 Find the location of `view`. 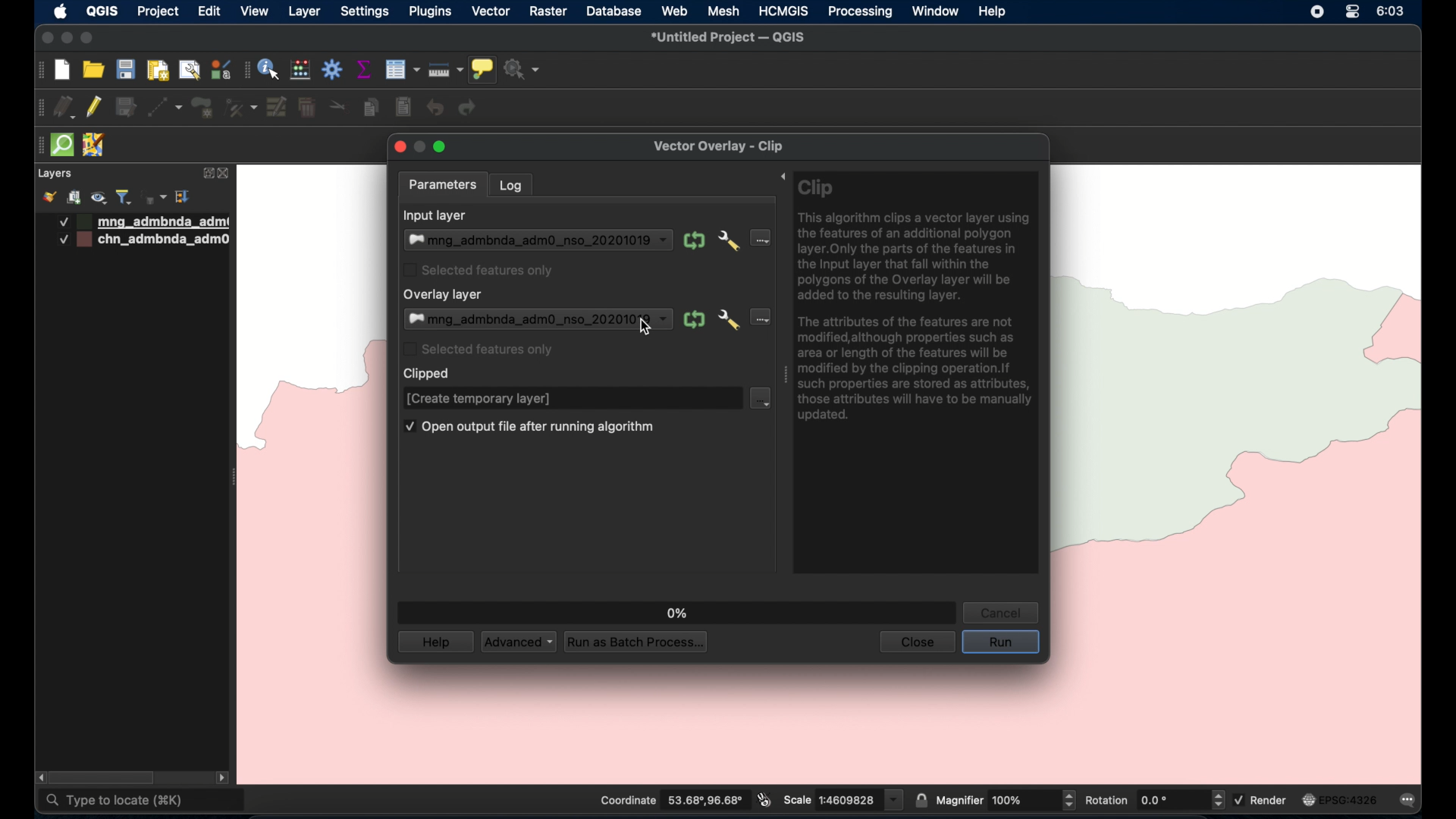

view is located at coordinates (255, 11).